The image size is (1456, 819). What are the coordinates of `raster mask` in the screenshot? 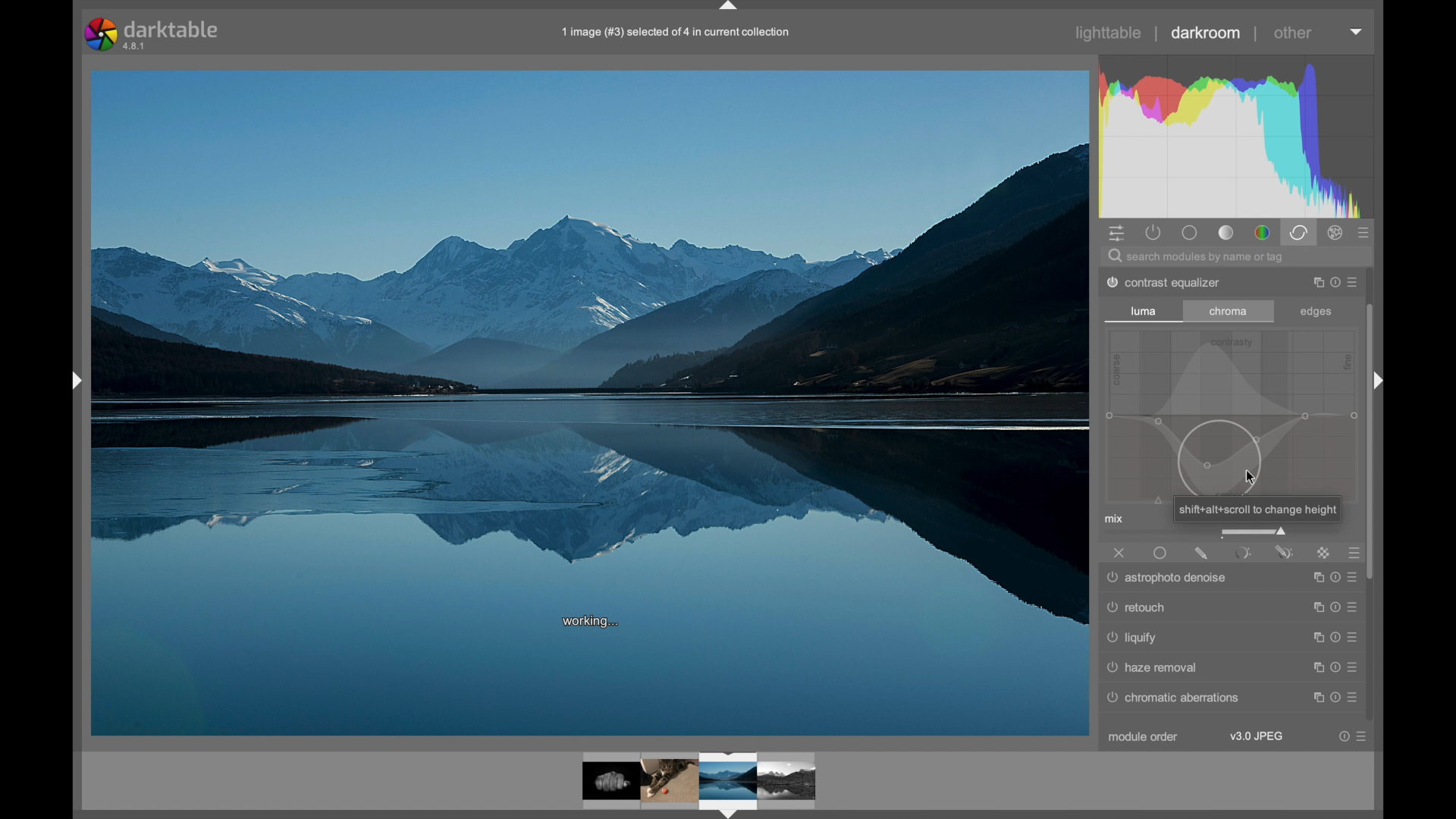 It's located at (1324, 554).